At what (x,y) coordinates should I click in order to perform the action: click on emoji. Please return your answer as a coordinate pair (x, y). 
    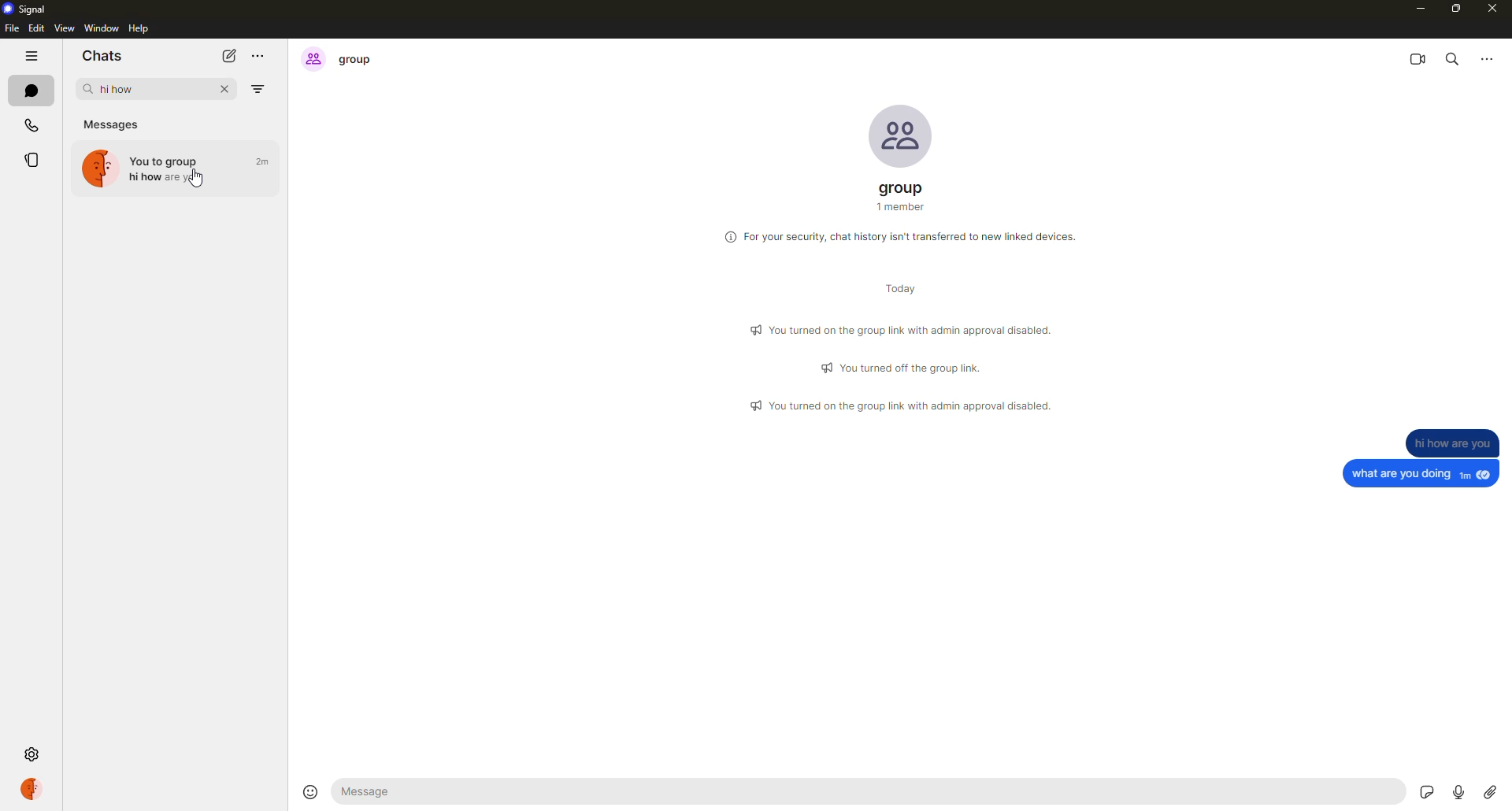
    Looking at the image, I should click on (308, 790).